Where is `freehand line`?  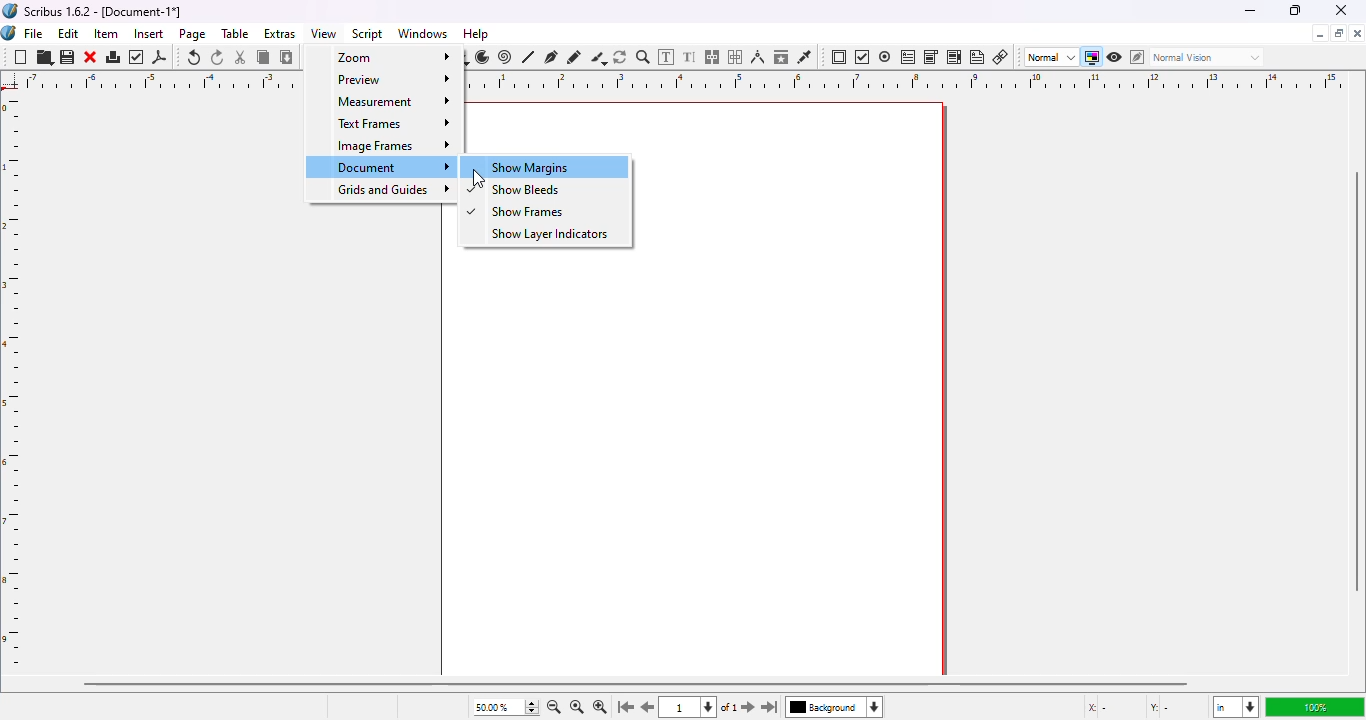
freehand line is located at coordinates (574, 57).